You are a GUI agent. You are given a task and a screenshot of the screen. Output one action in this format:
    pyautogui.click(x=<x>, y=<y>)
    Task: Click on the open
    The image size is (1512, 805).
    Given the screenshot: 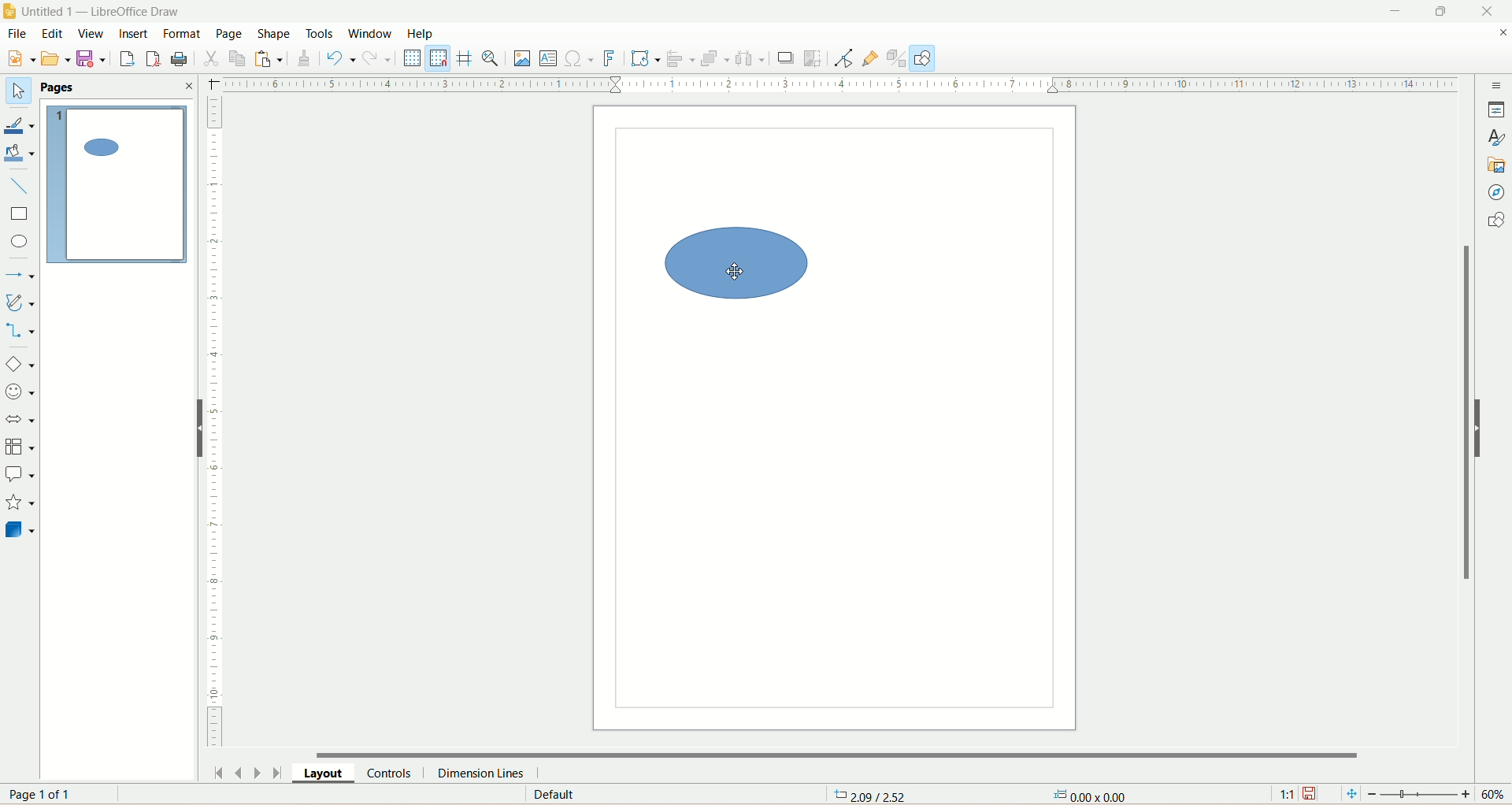 What is the action you would take?
    pyautogui.click(x=54, y=57)
    